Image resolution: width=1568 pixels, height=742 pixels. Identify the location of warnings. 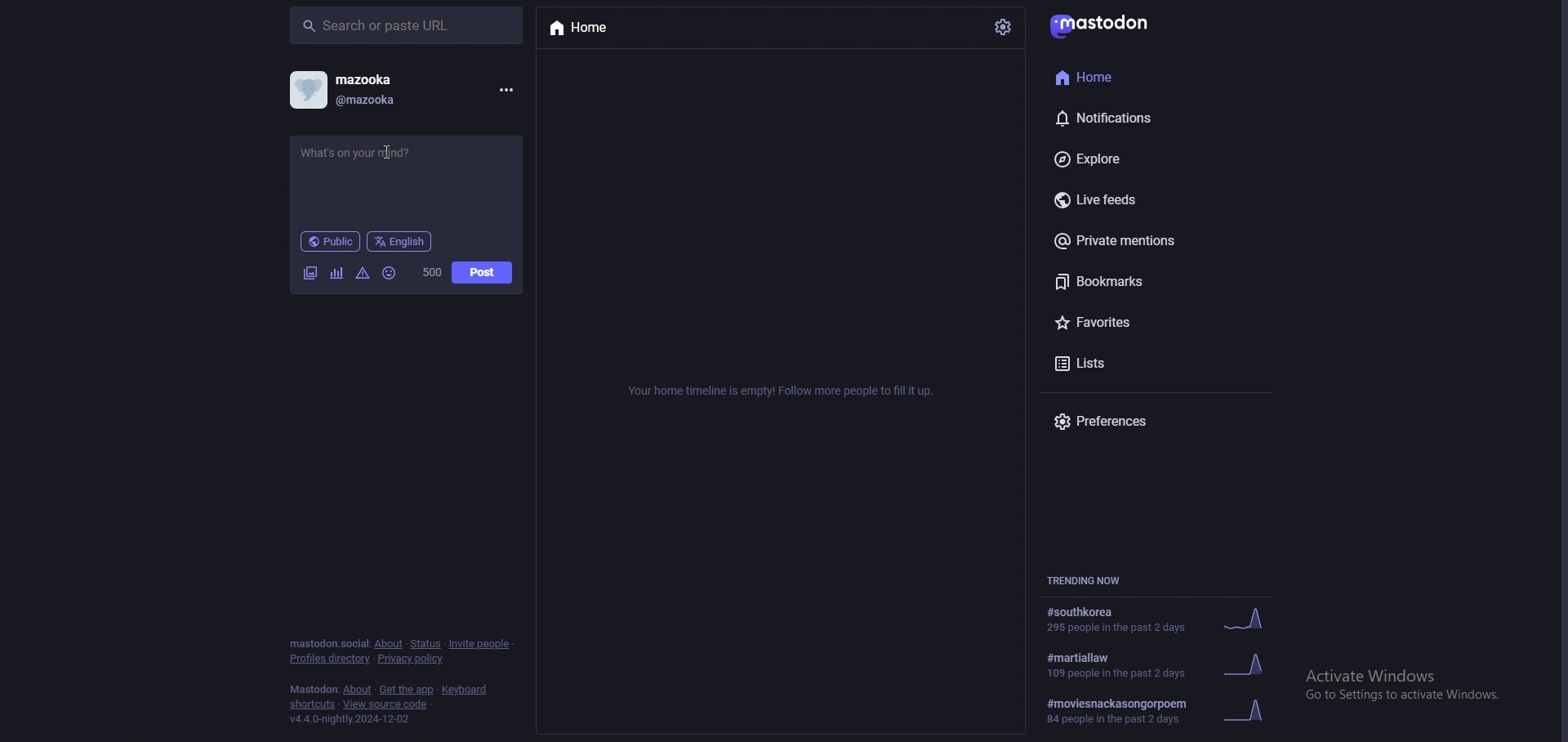
(362, 274).